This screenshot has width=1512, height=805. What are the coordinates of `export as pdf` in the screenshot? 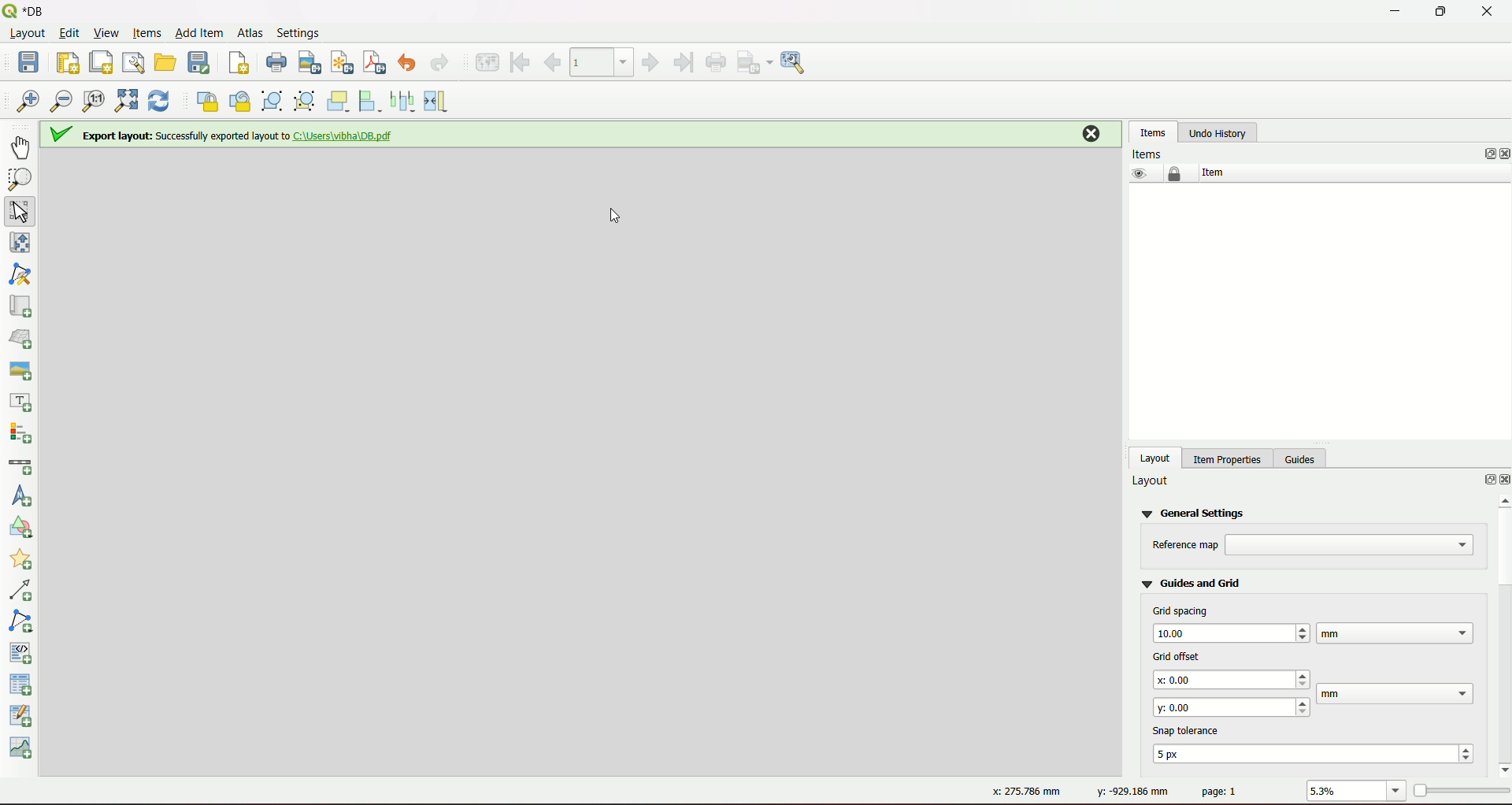 It's located at (375, 63).